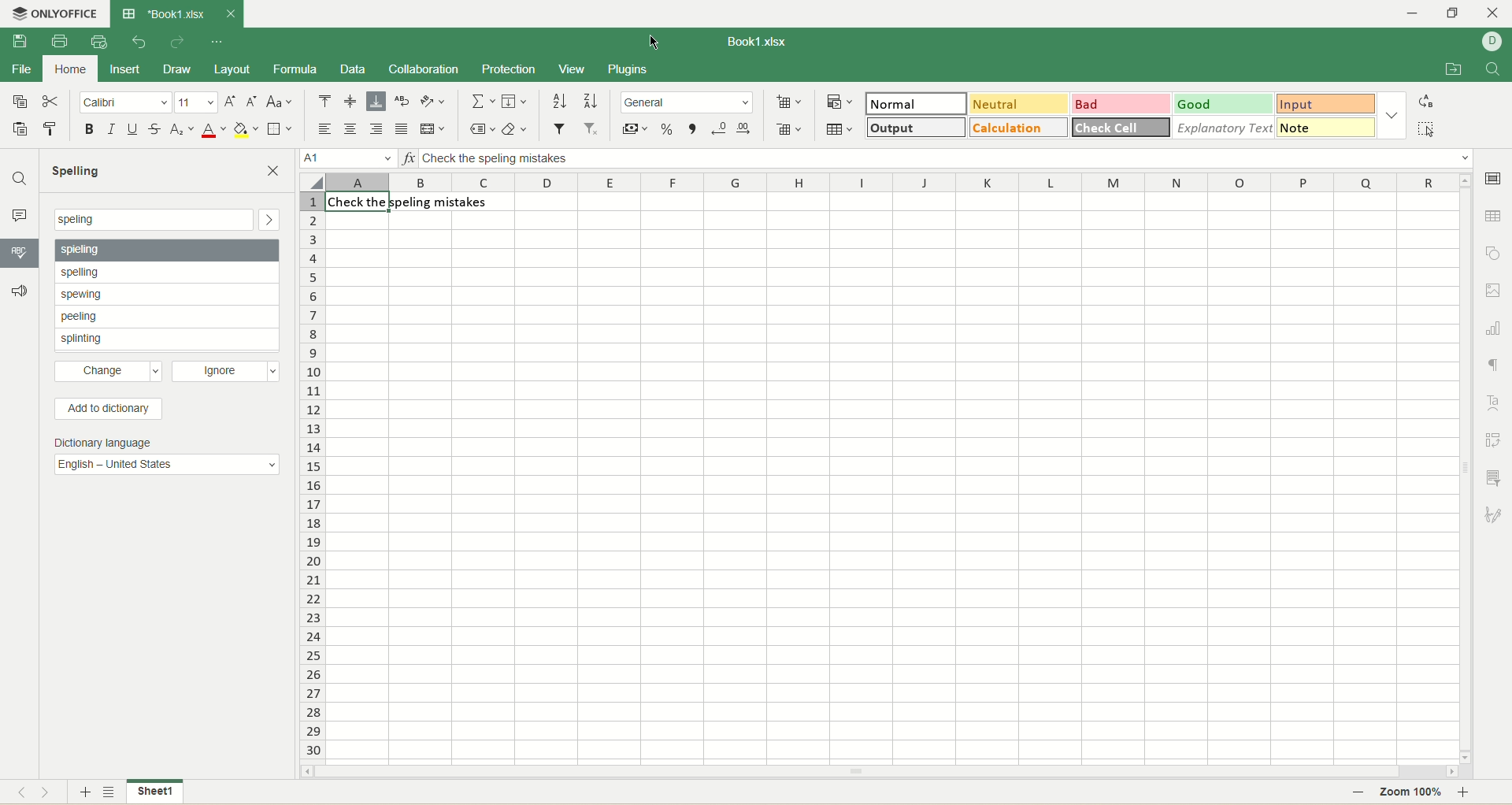 Image resolution: width=1512 pixels, height=805 pixels. What do you see at coordinates (111, 131) in the screenshot?
I see `italic` at bounding box center [111, 131].